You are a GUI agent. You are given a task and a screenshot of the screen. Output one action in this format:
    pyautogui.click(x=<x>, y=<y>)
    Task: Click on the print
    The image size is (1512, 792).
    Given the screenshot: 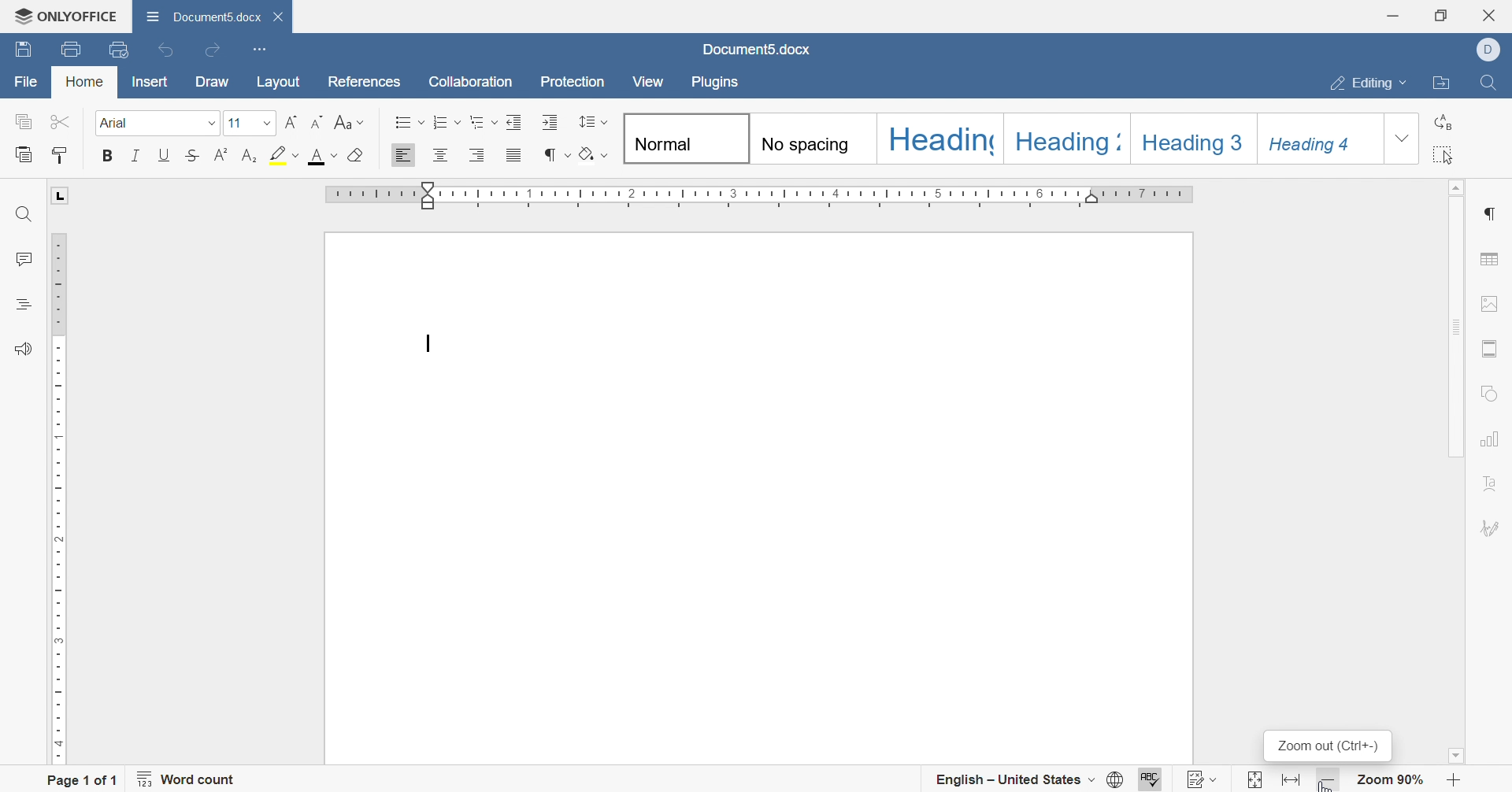 What is the action you would take?
    pyautogui.click(x=70, y=50)
    